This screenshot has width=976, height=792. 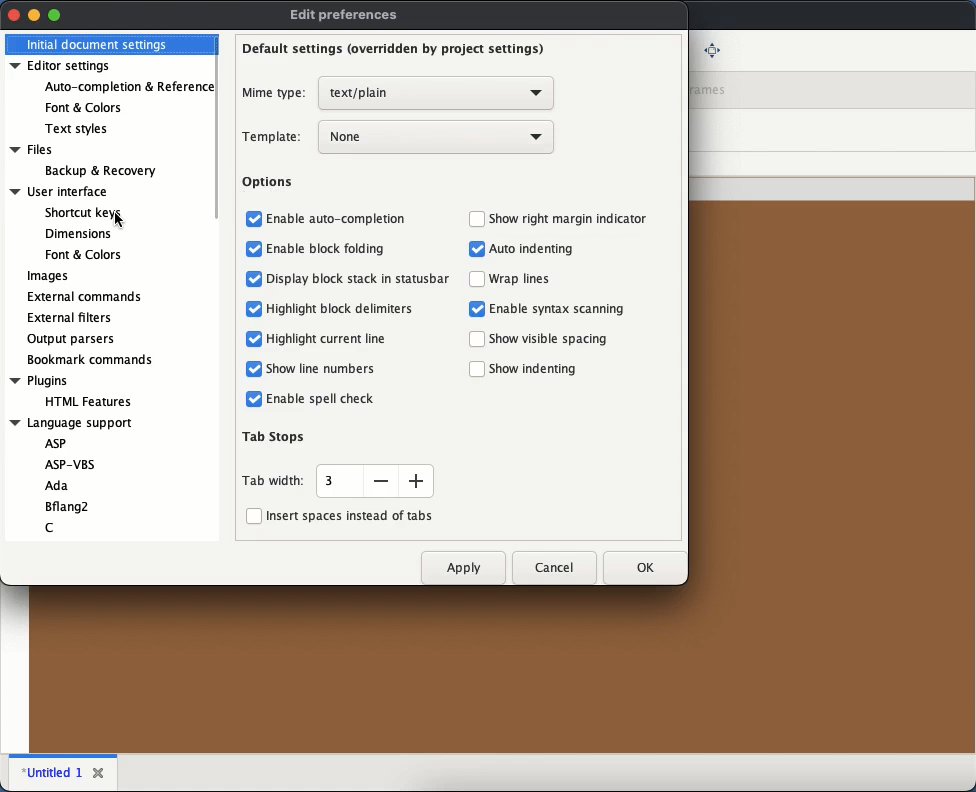 I want to click on files, so click(x=41, y=150).